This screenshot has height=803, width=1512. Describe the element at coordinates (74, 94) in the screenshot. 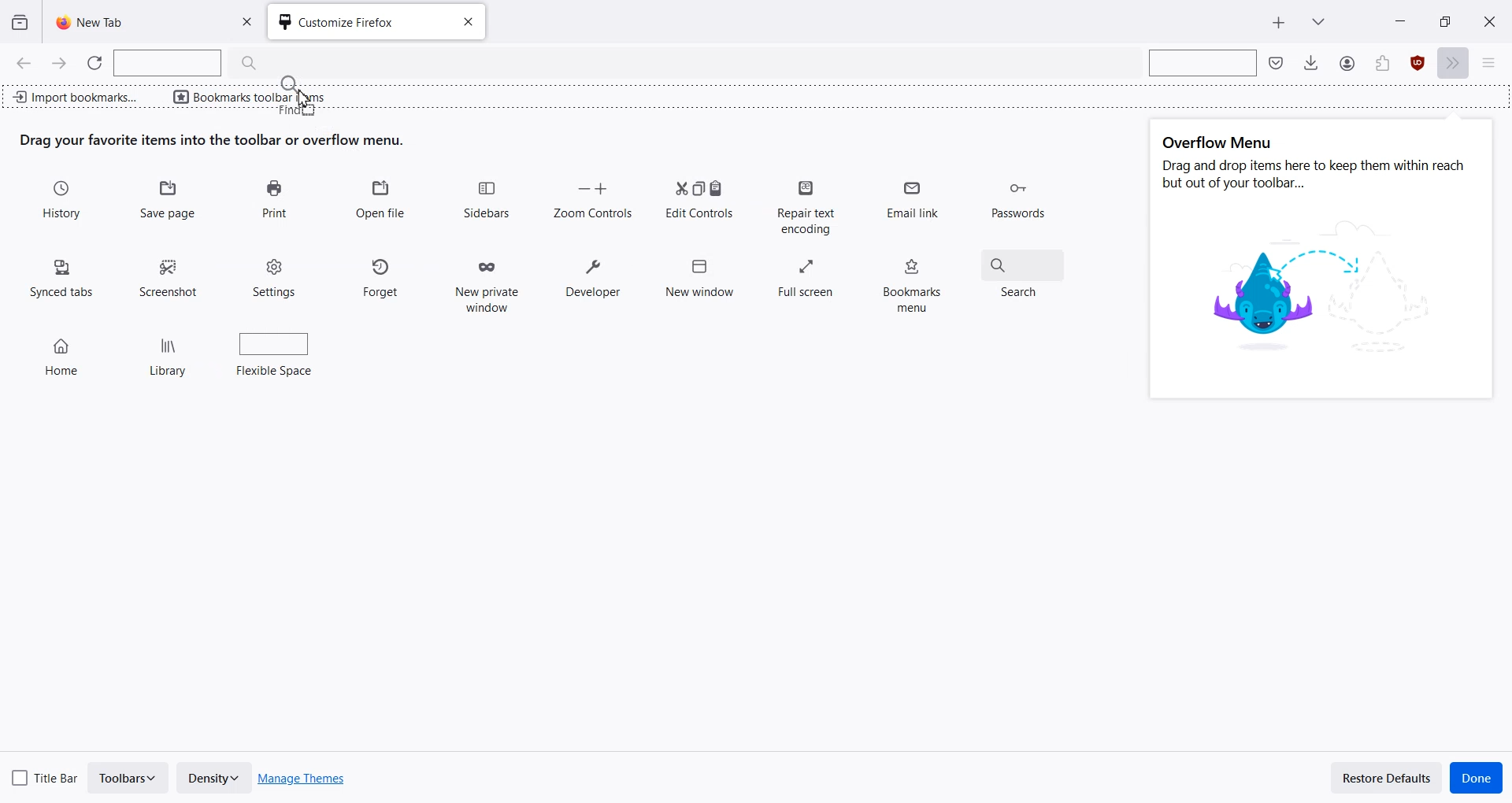

I see `Import bookmark` at that location.